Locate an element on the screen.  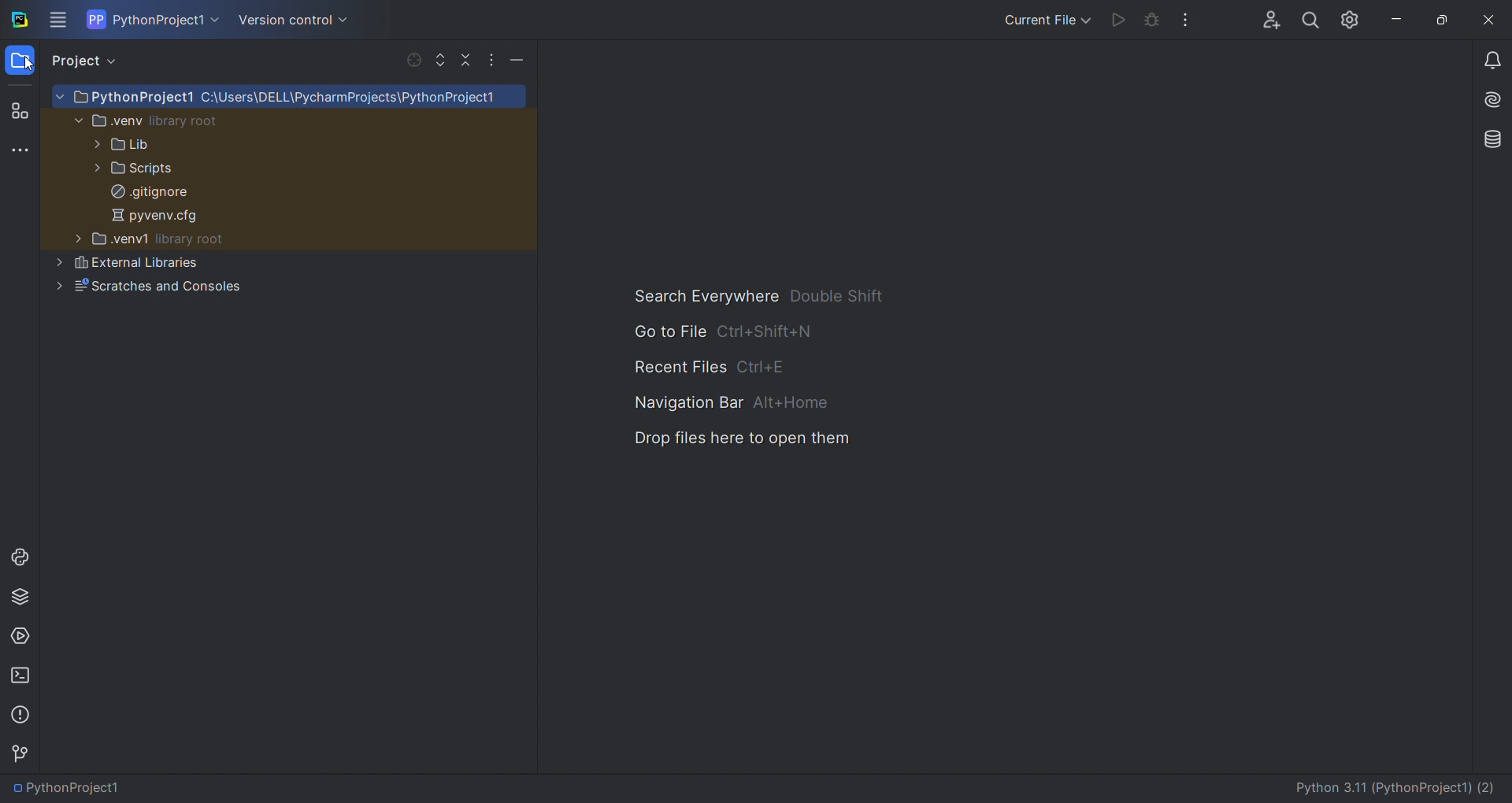
python console is located at coordinates (24, 556).